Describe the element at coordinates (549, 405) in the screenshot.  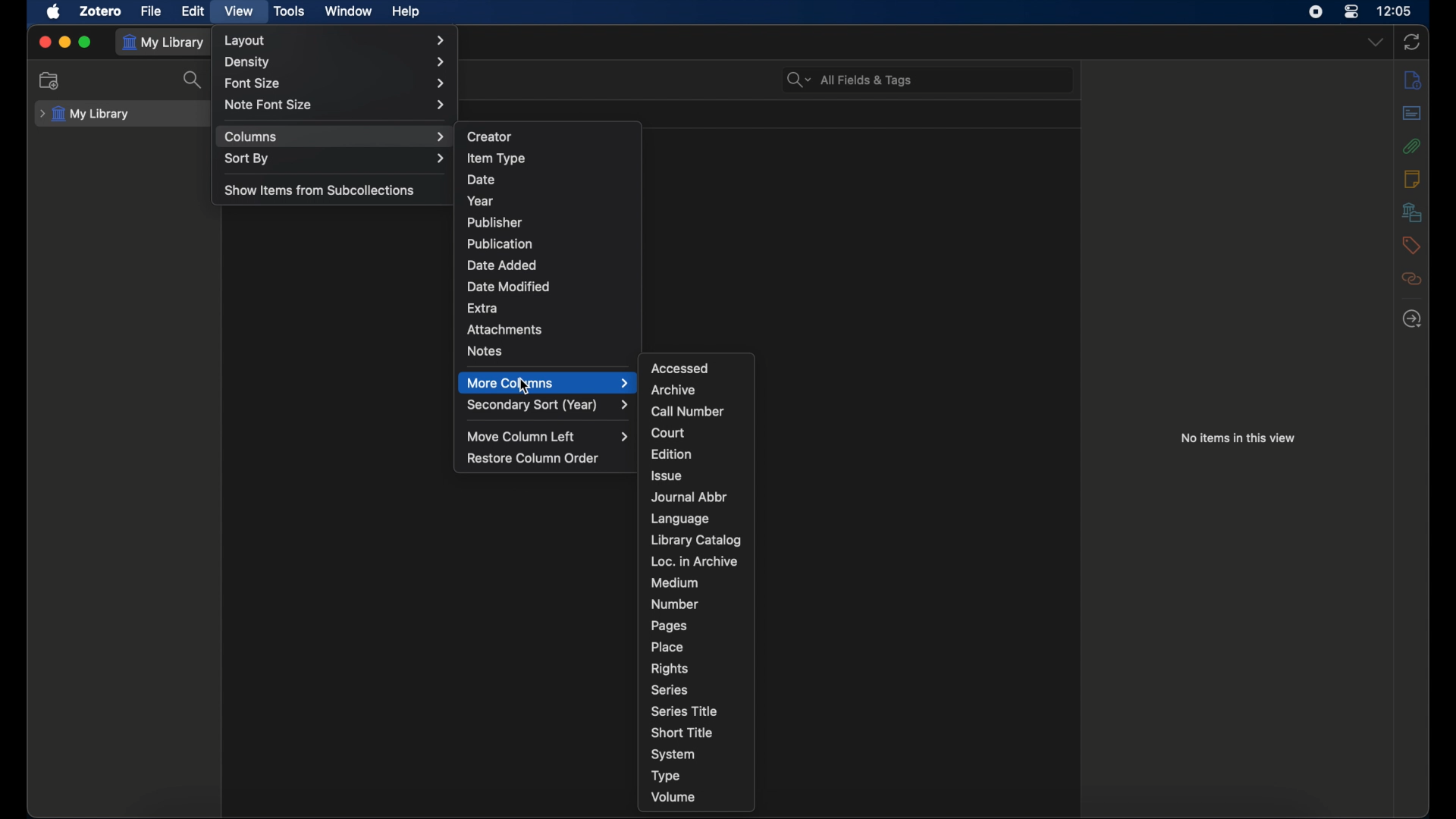
I see `secondary sort` at that location.